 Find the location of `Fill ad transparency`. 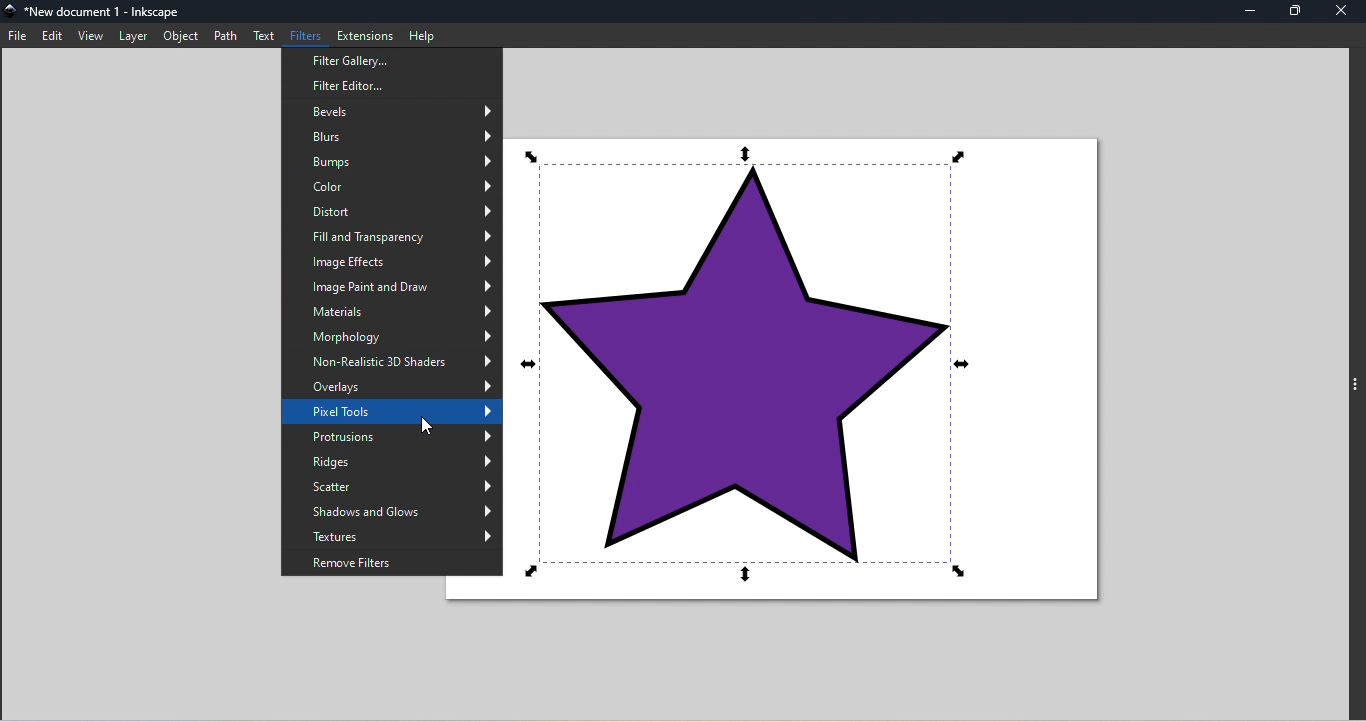

Fill ad transparency is located at coordinates (391, 237).